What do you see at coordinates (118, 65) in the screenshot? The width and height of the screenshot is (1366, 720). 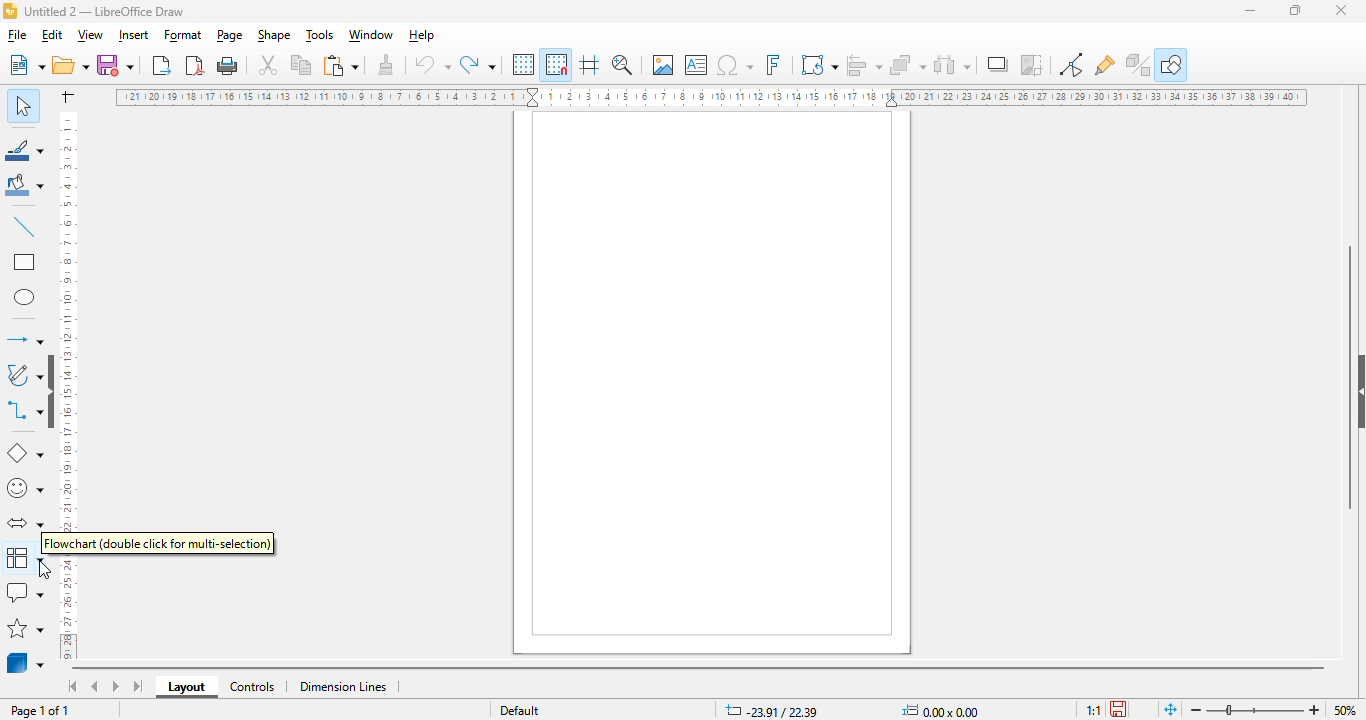 I see `save` at bounding box center [118, 65].